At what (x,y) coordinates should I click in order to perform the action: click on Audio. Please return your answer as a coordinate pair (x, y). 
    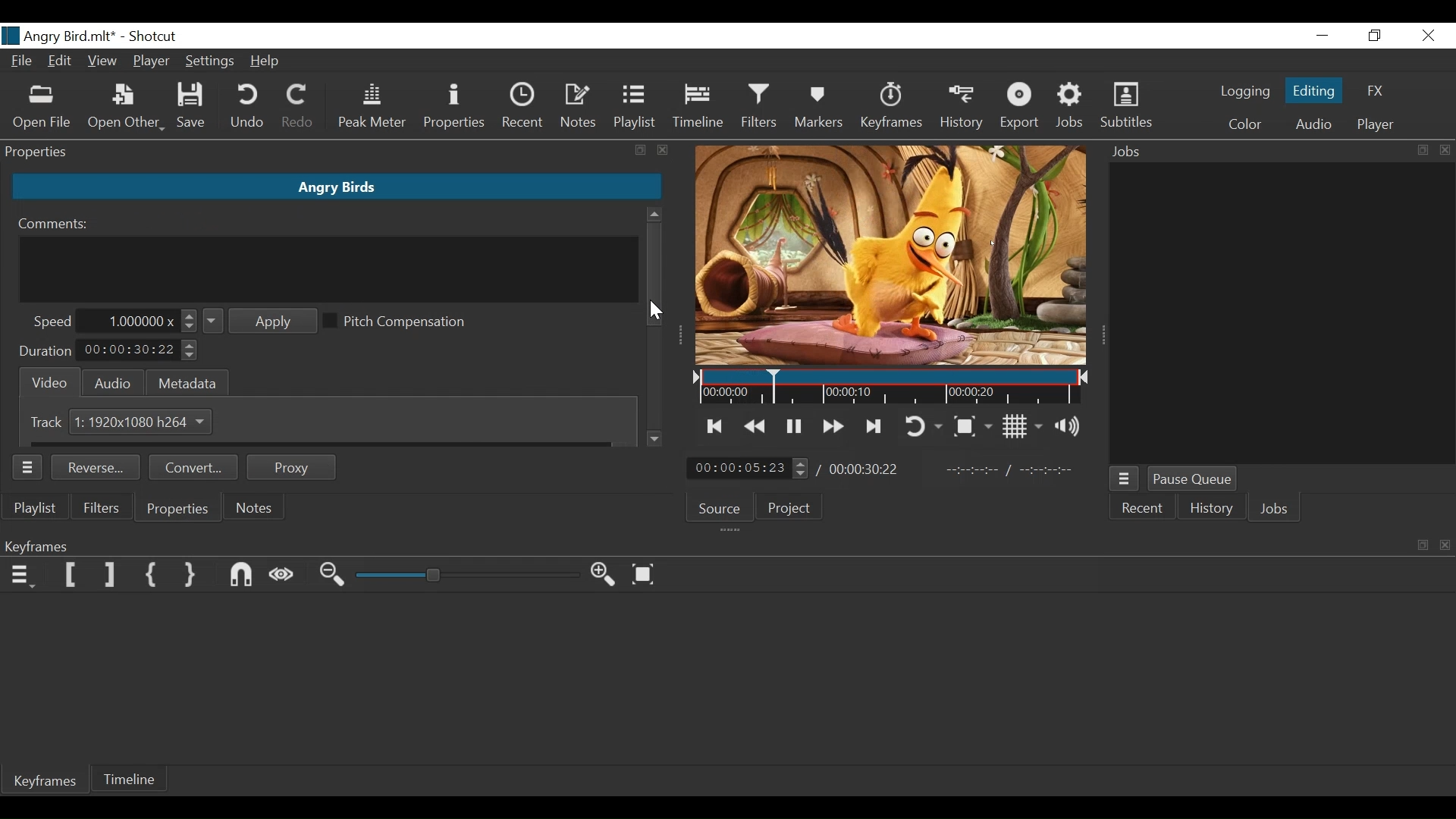
    Looking at the image, I should click on (108, 381).